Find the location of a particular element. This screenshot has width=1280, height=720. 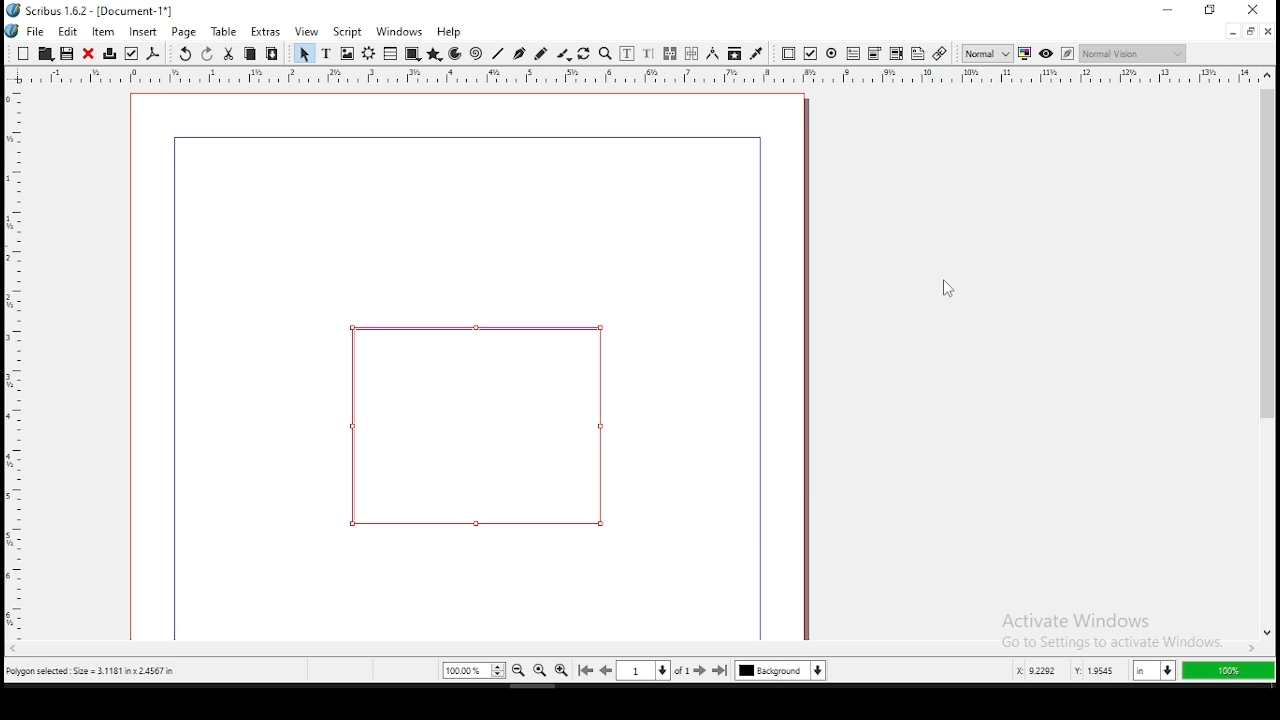

select current layer is located at coordinates (780, 670).